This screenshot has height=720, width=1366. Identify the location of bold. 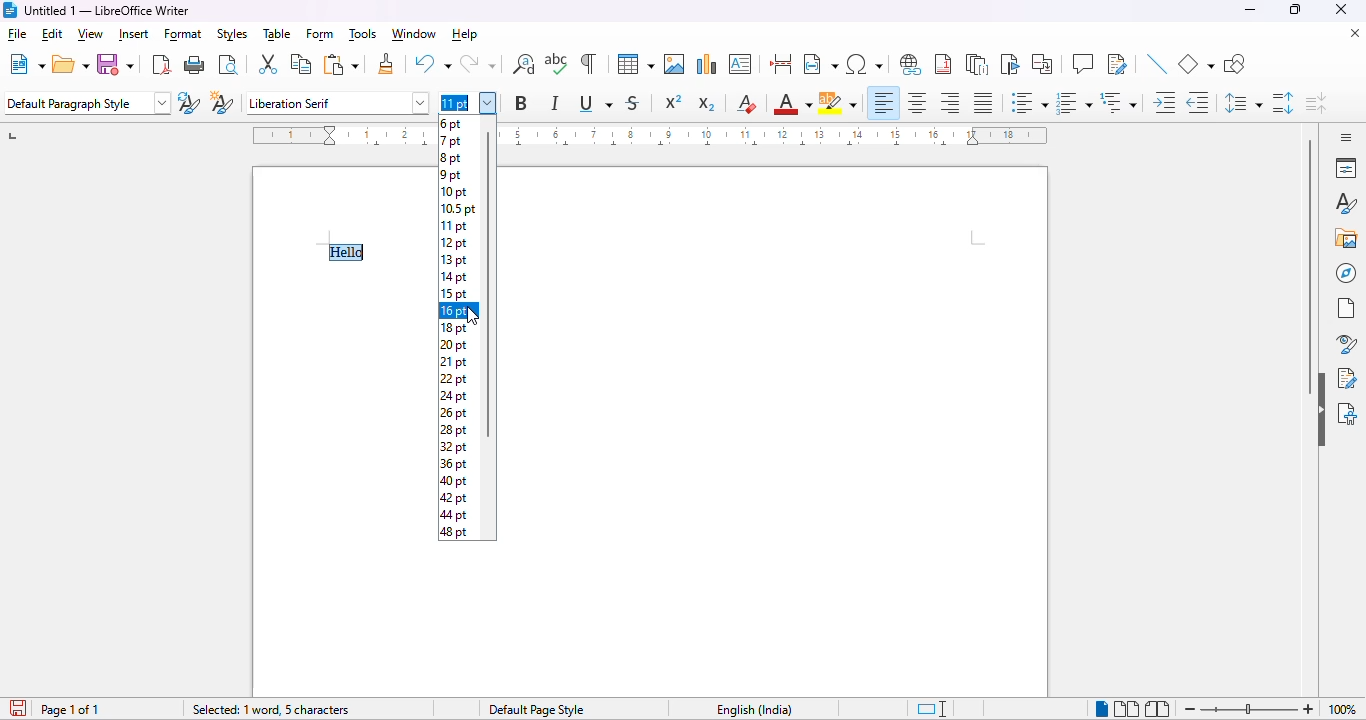
(522, 103).